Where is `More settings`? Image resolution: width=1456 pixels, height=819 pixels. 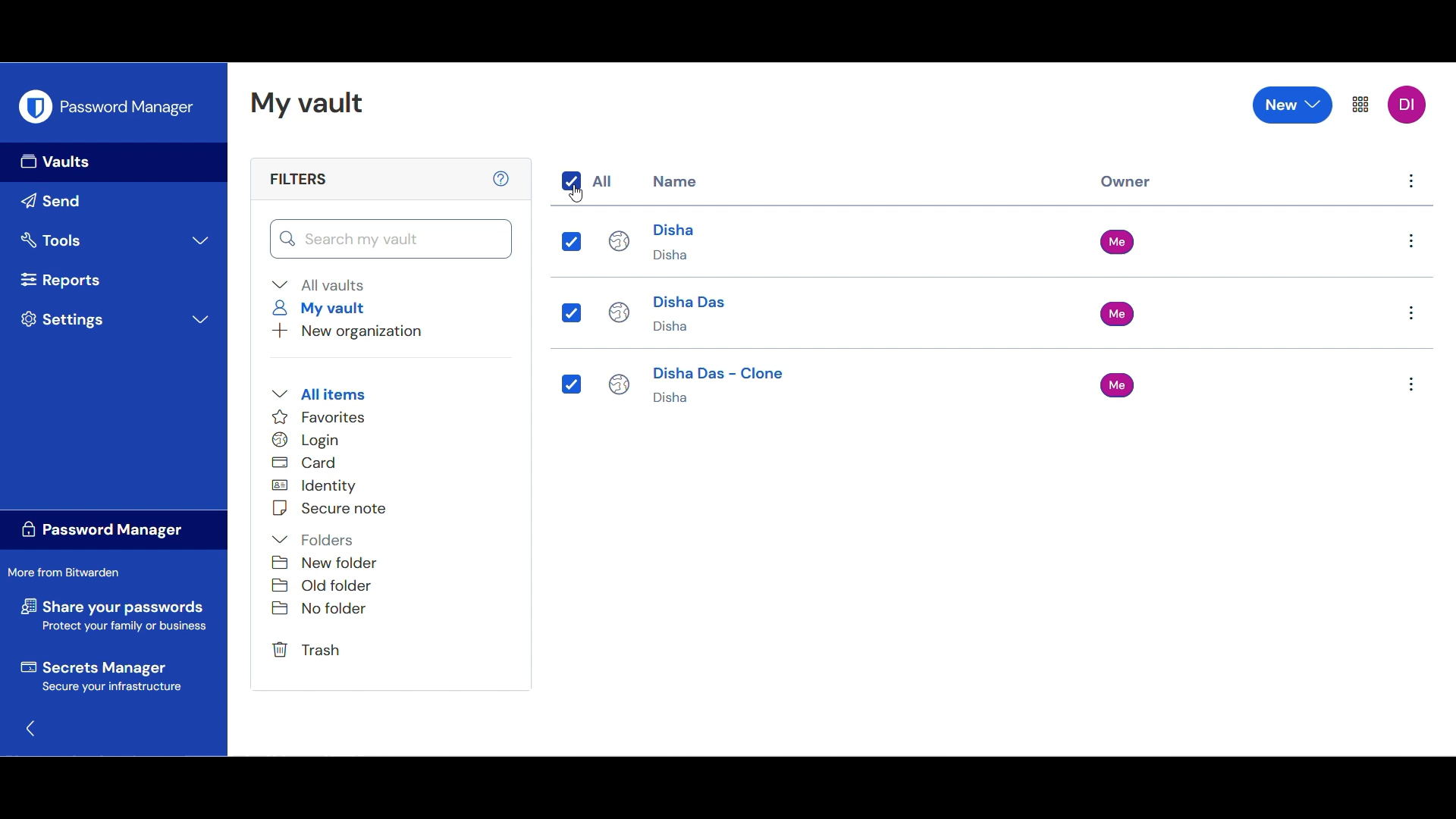
More settings is located at coordinates (1360, 105).